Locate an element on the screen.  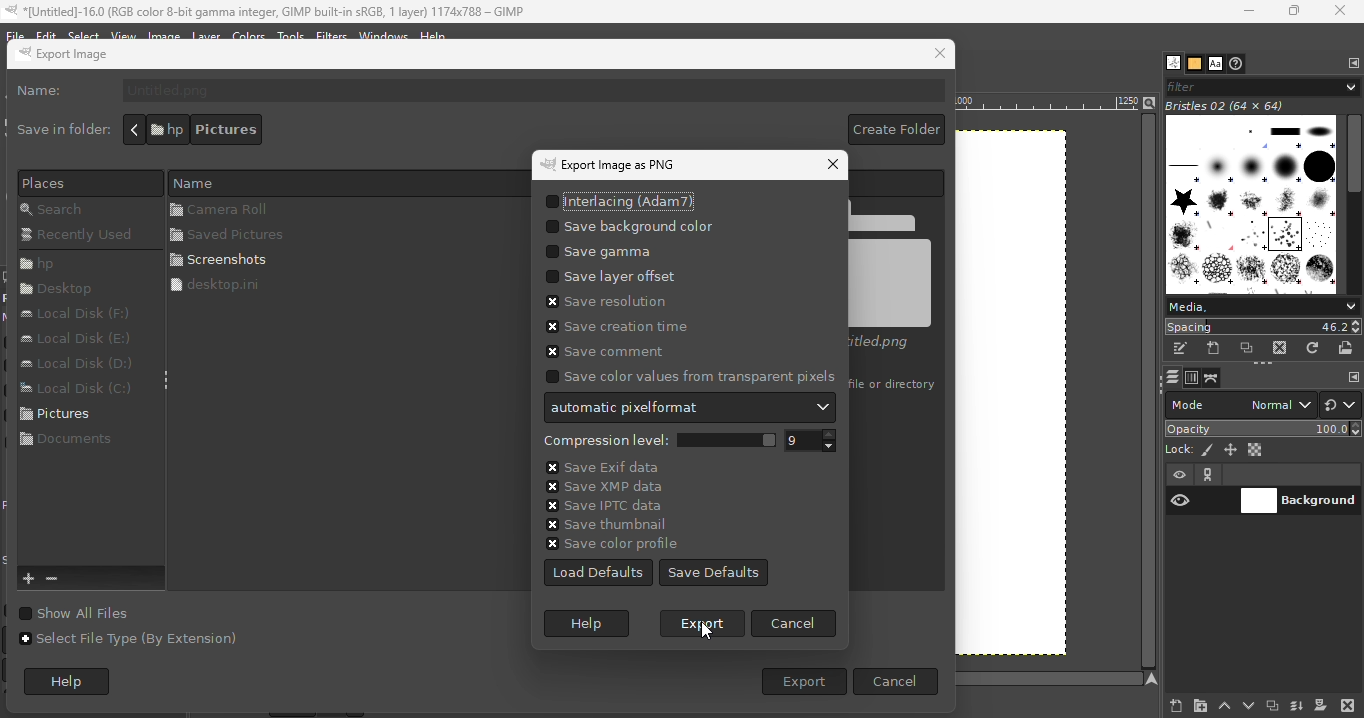
*[Untitled]-16.0 (RGB color 8-bit gamma integer, GIMP built-in sRGB, 1 layer) 1174x788 - GIMP is located at coordinates (267, 11).